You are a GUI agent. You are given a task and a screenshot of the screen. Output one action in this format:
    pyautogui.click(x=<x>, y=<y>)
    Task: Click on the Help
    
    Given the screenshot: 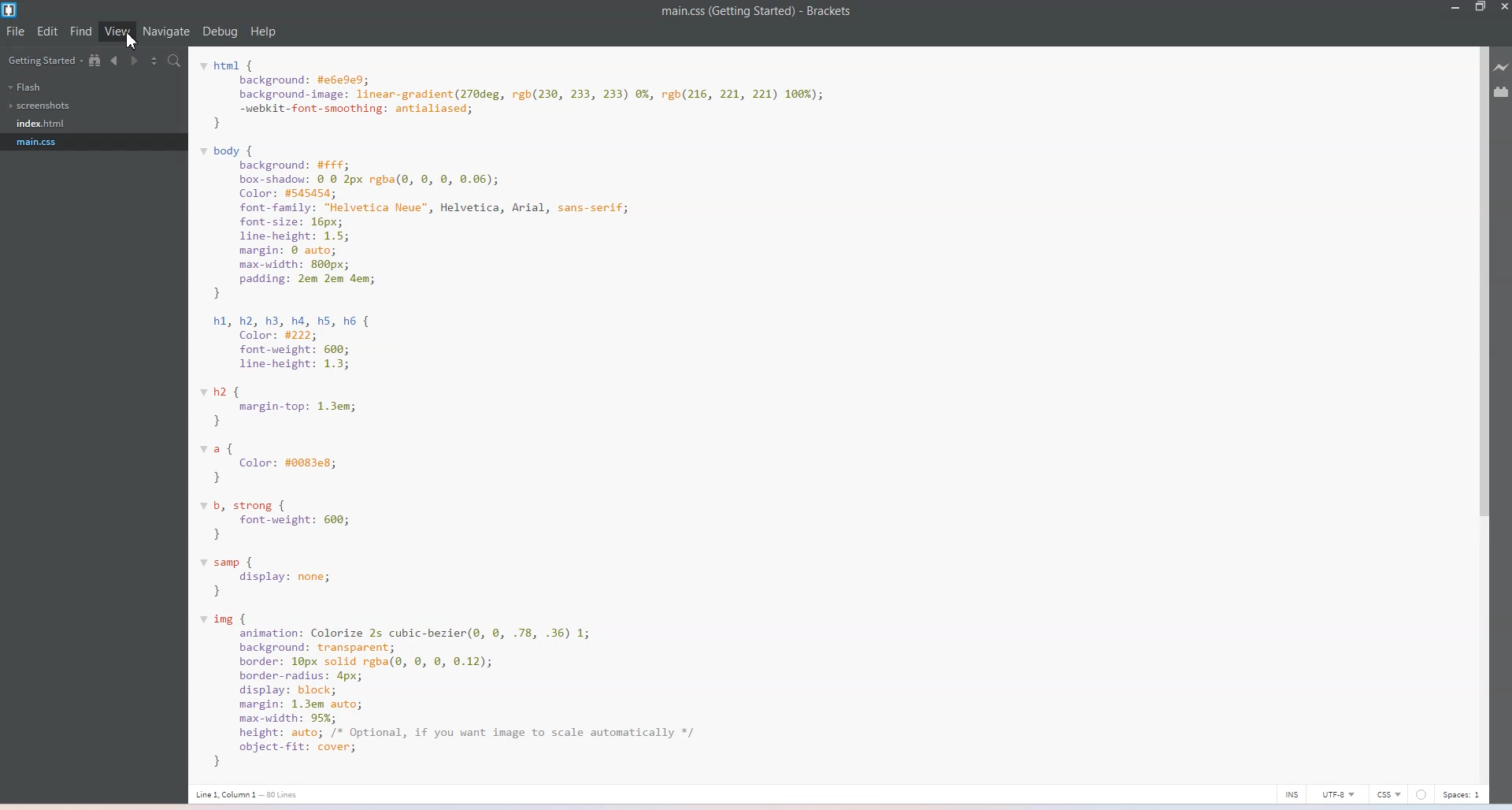 What is the action you would take?
    pyautogui.click(x=264, y=32)
    